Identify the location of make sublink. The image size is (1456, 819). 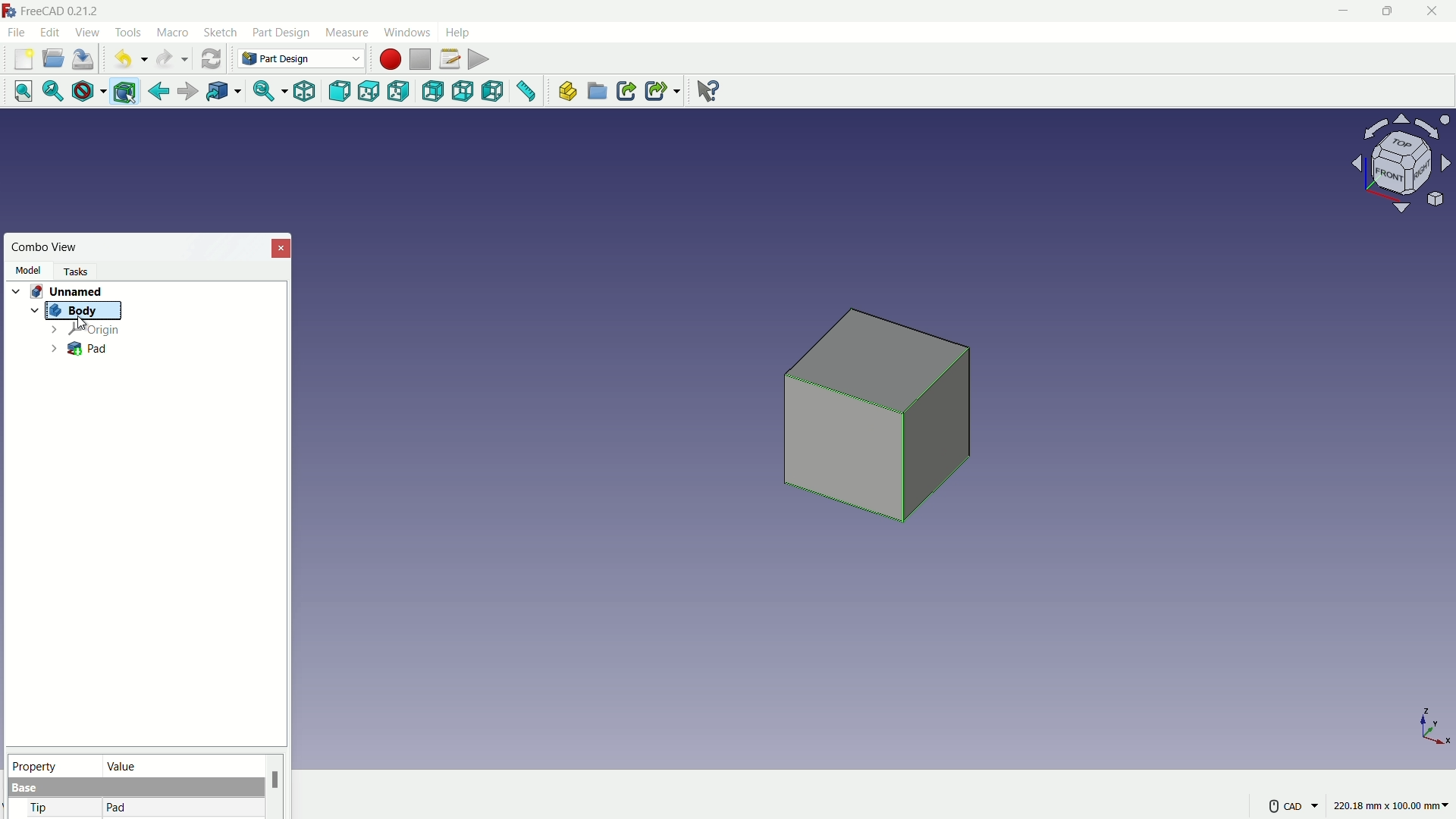
(663, 91).